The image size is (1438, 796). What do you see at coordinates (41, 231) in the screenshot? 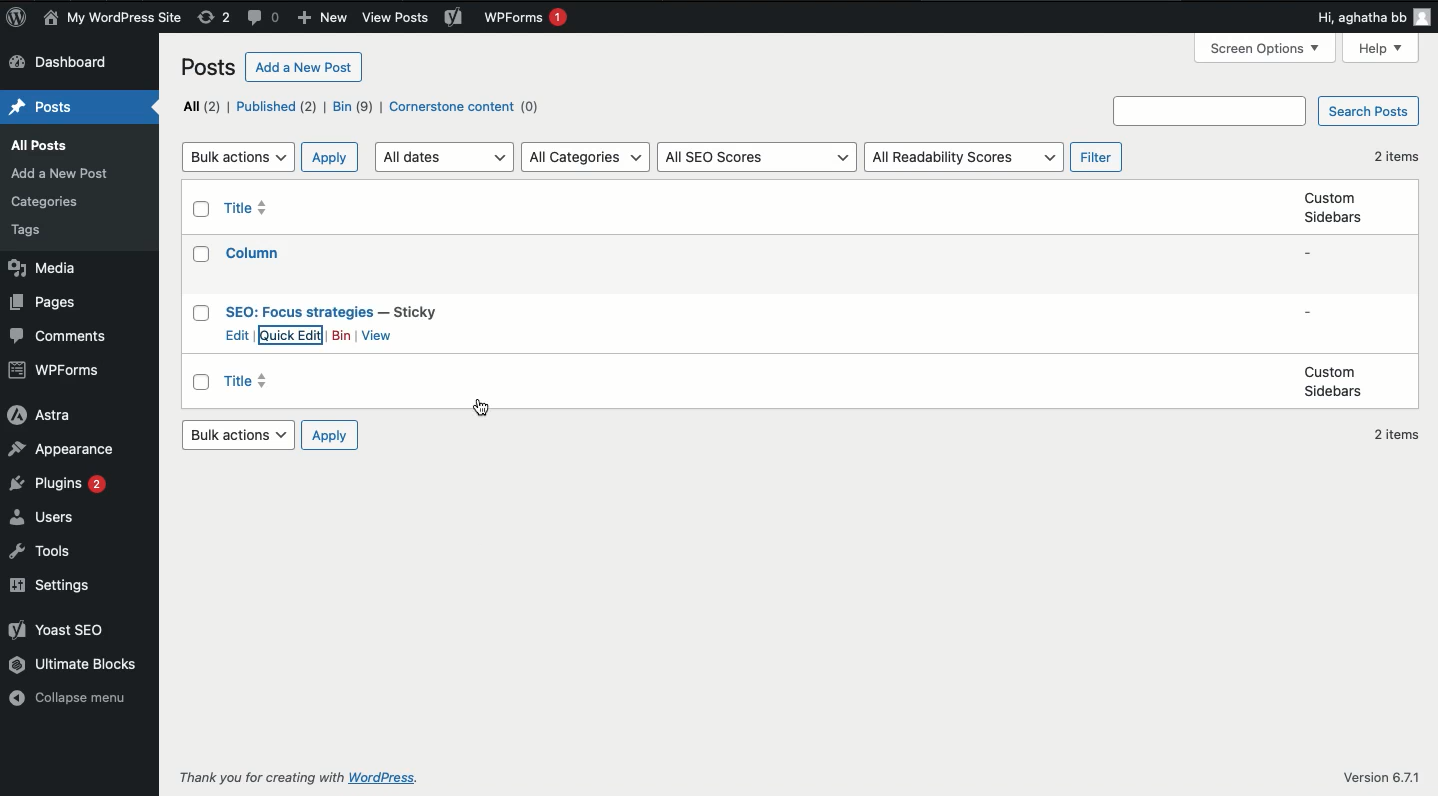
I see `Posts` at bounding box center [41, 231].